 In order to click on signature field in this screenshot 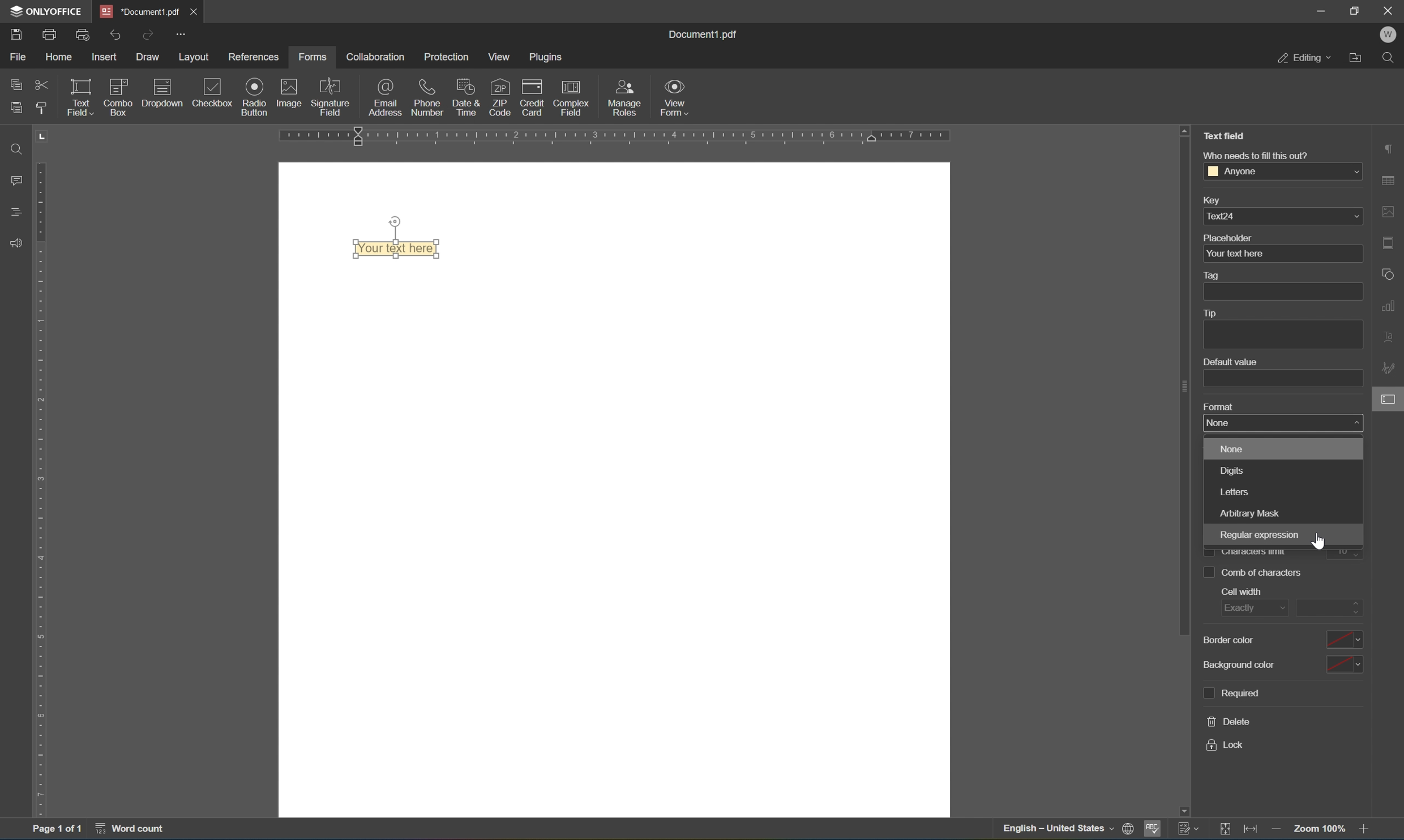, I will do `click(331, 97)`.